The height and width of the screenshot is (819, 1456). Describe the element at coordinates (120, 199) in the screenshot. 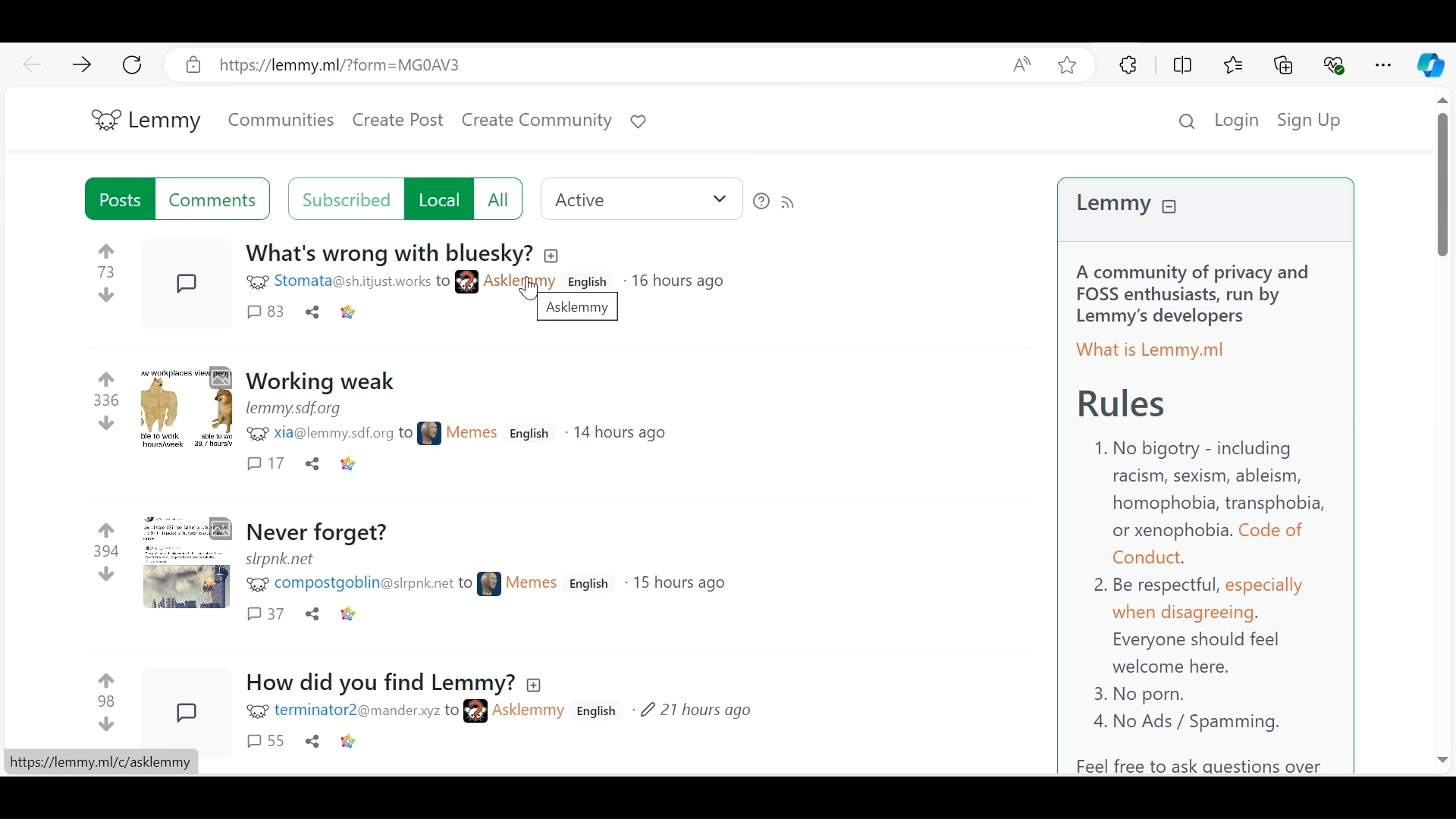

I see `Posts` at that location.